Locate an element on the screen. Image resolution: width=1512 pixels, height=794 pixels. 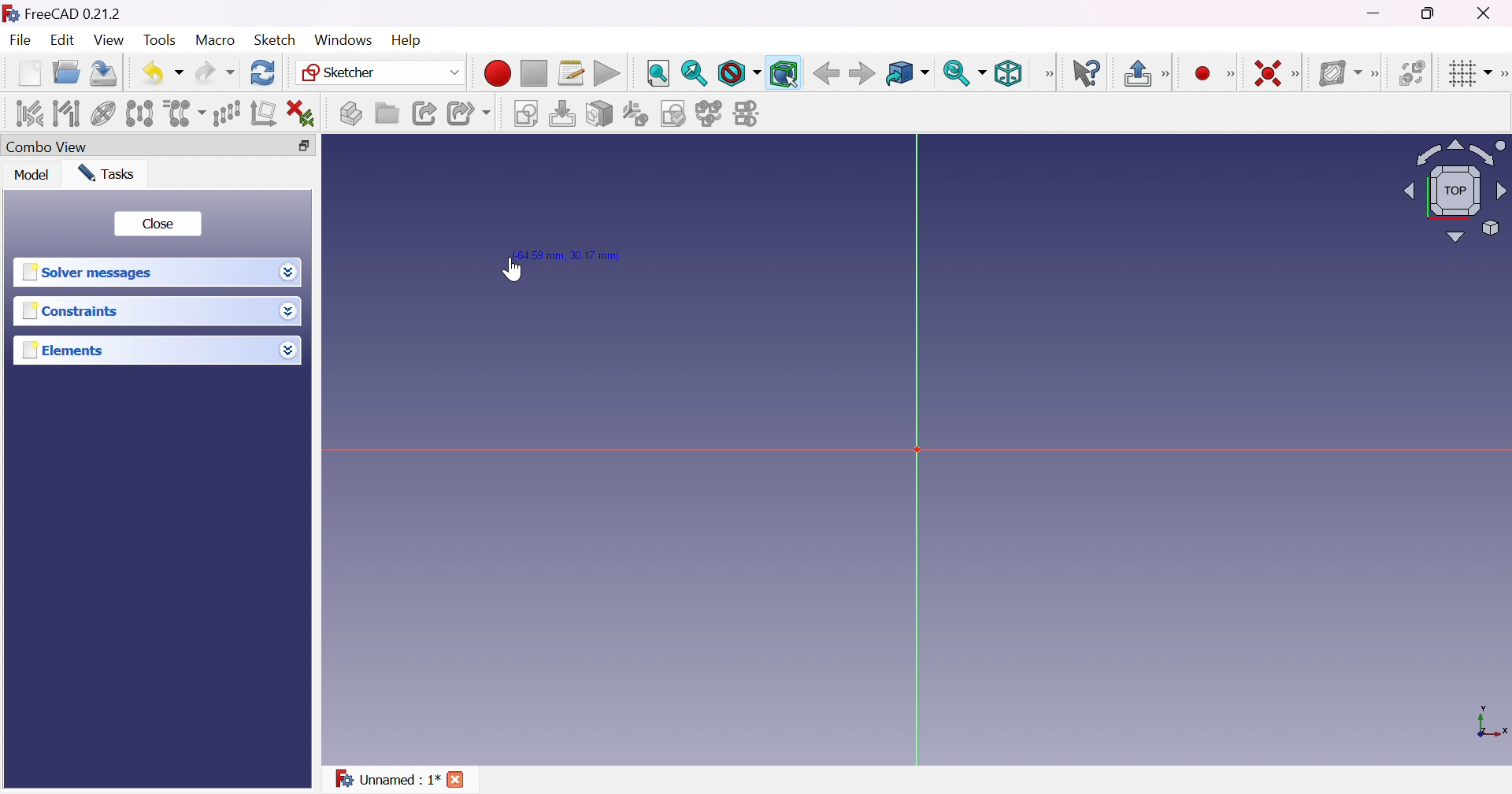
Redo is located at coordinates (216, 74).